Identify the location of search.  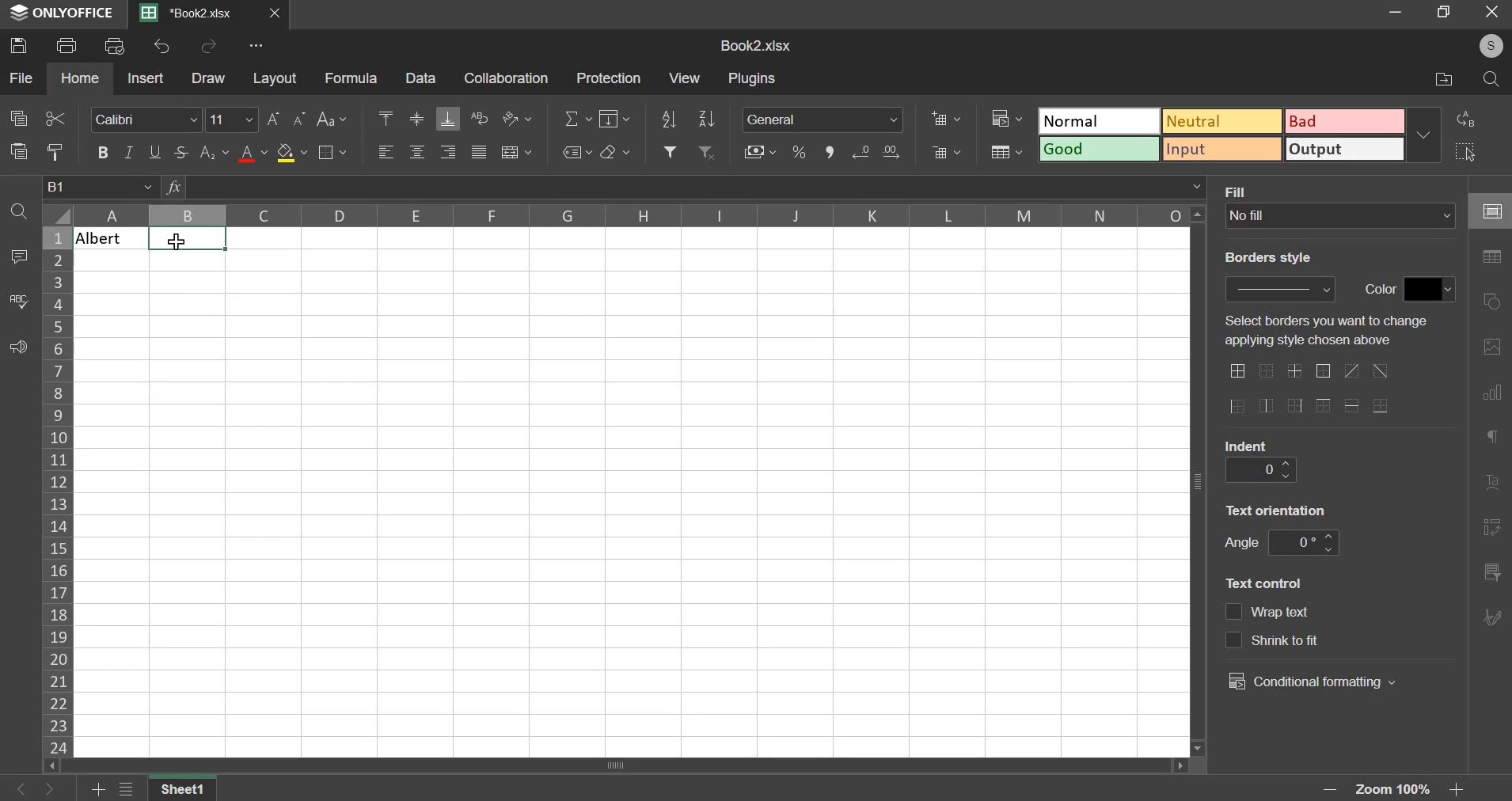
(1487, 78).